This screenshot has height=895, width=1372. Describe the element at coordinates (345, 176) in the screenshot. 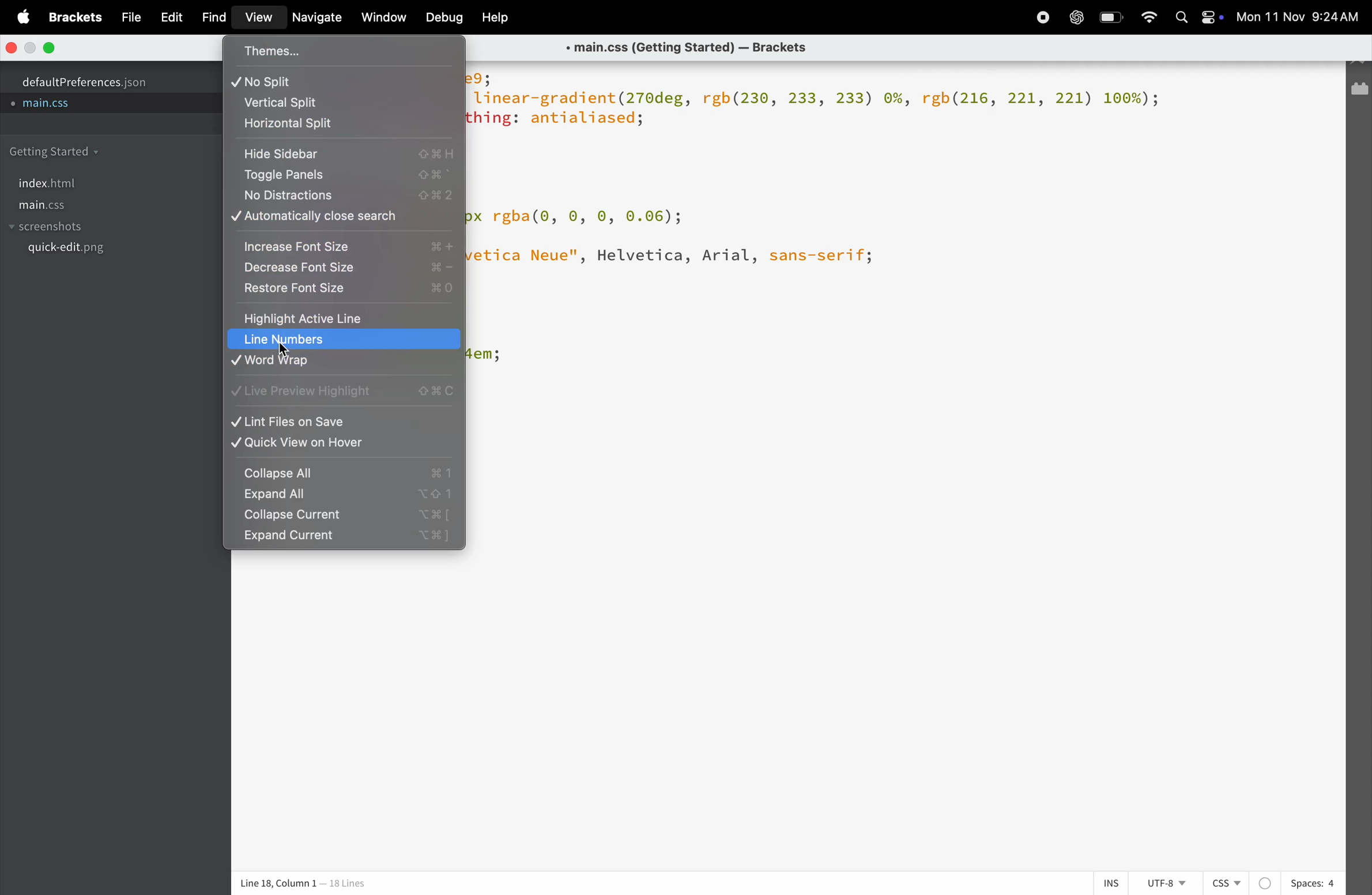

I see `toggle panels` at that location.